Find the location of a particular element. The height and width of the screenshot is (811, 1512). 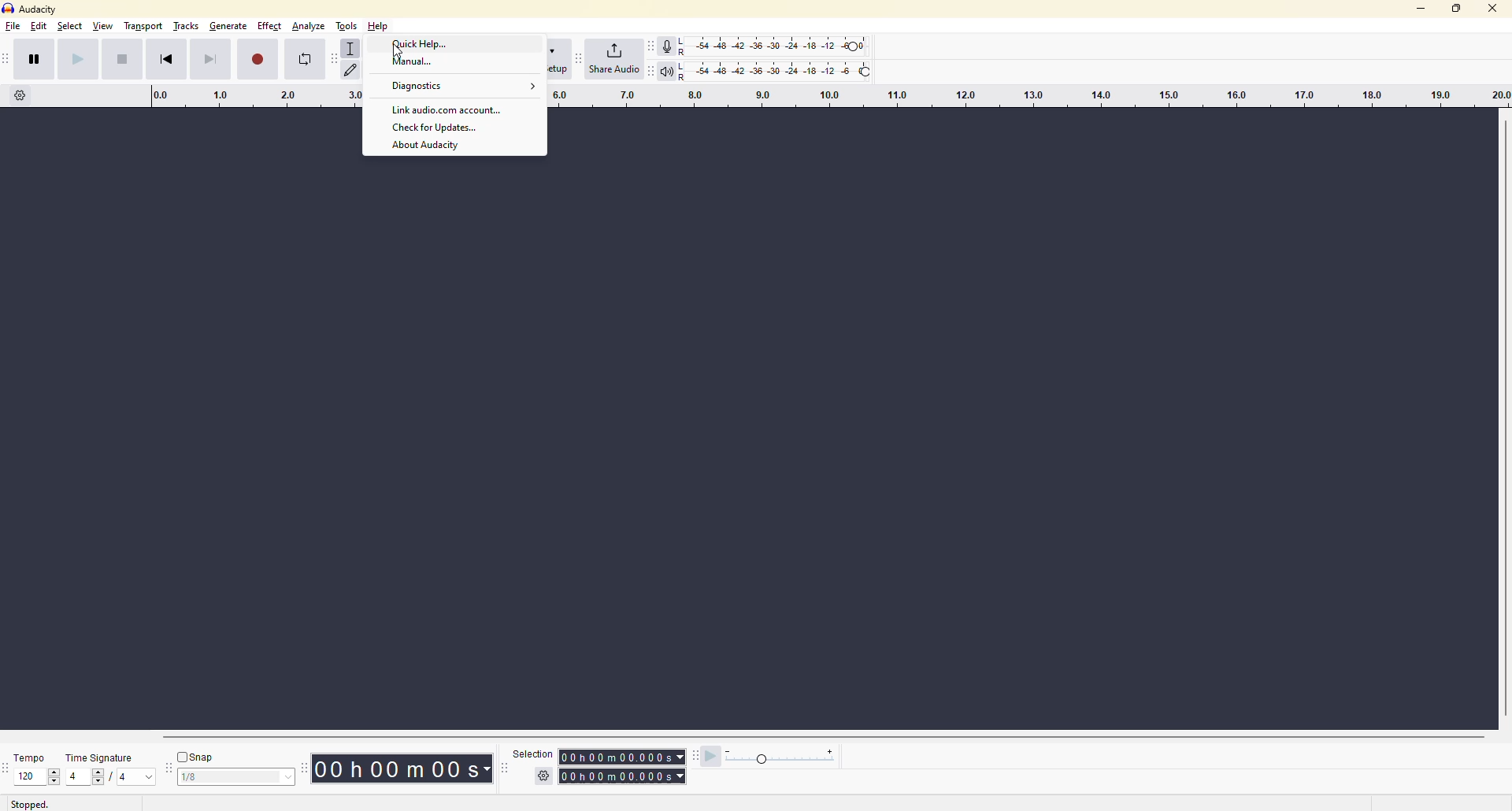

view is located at coordinates (106, 30).